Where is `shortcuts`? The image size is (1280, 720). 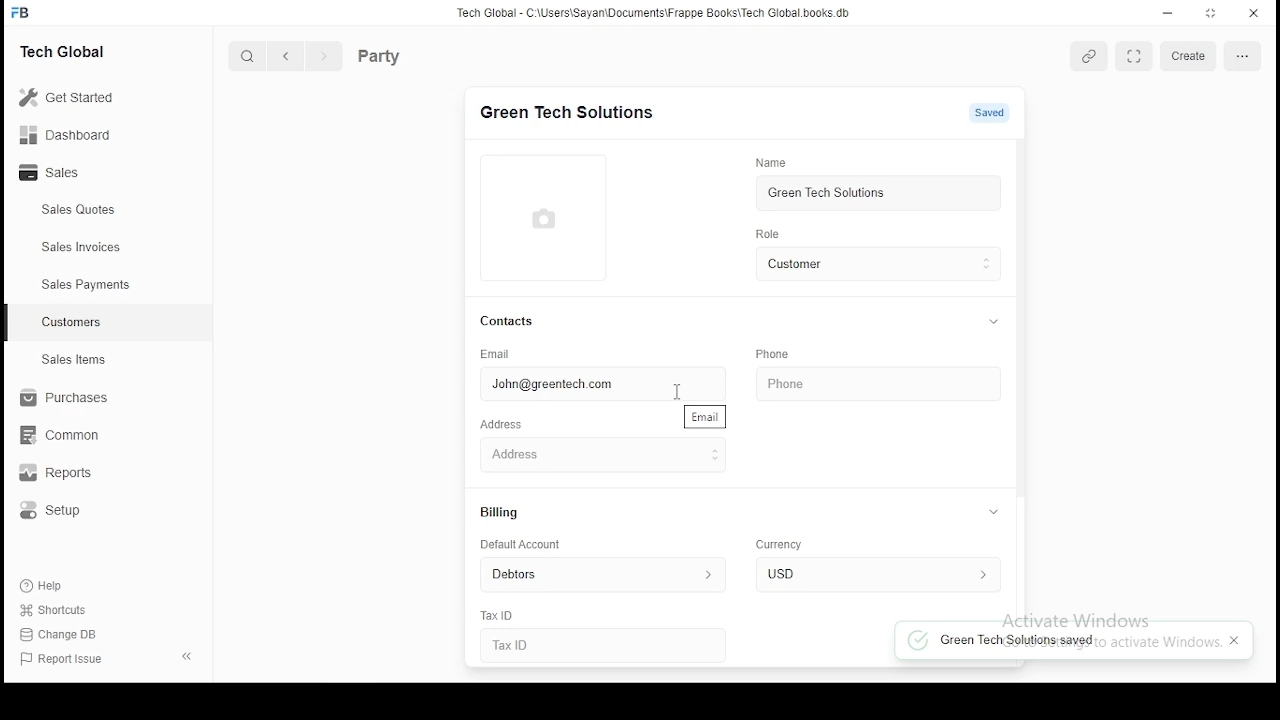 shortcuts is located at coordinates (52, 611).